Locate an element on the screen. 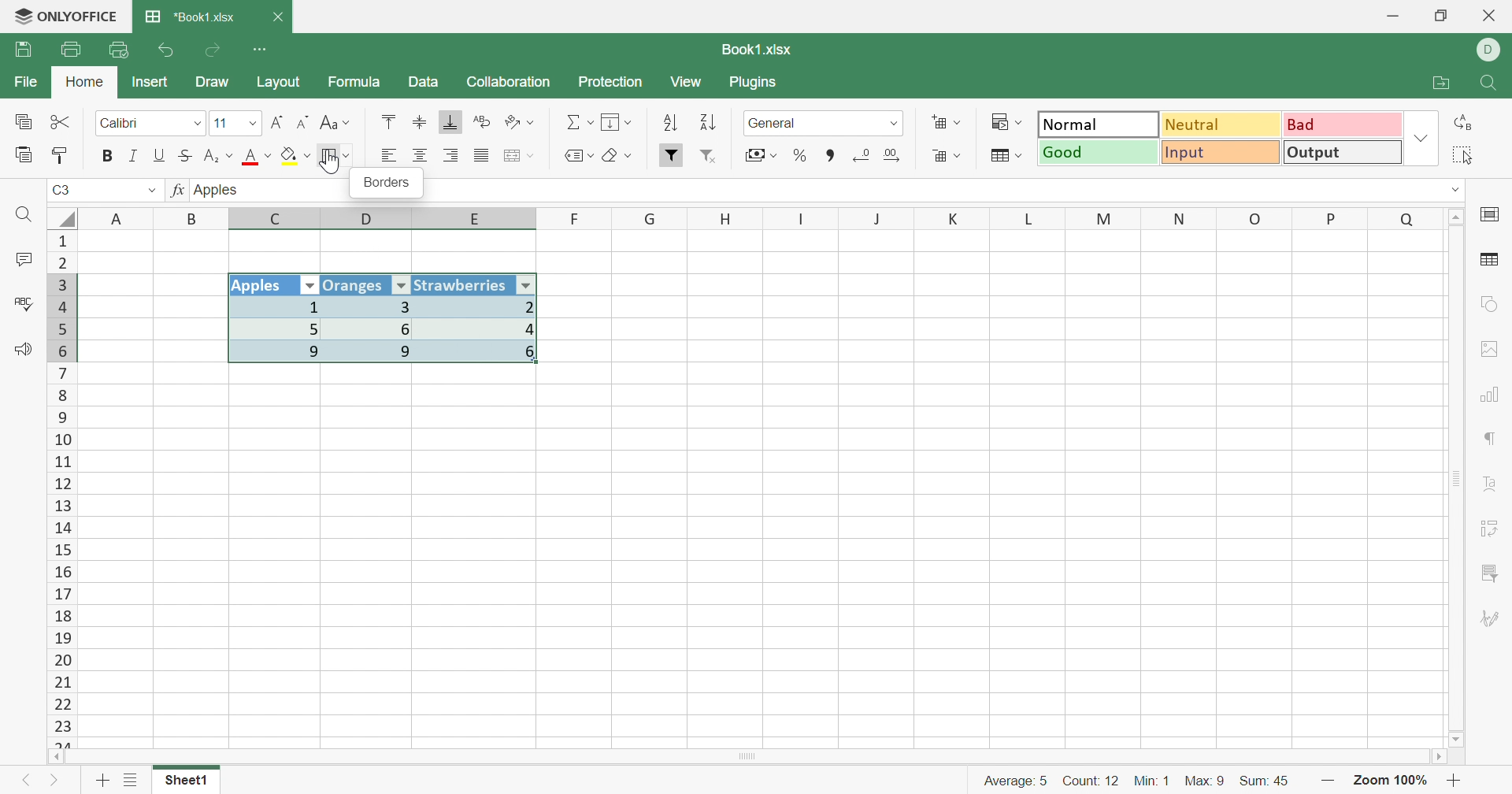 This screenshot has width=1512, height=794. Close is located at coordinates (280, 17).